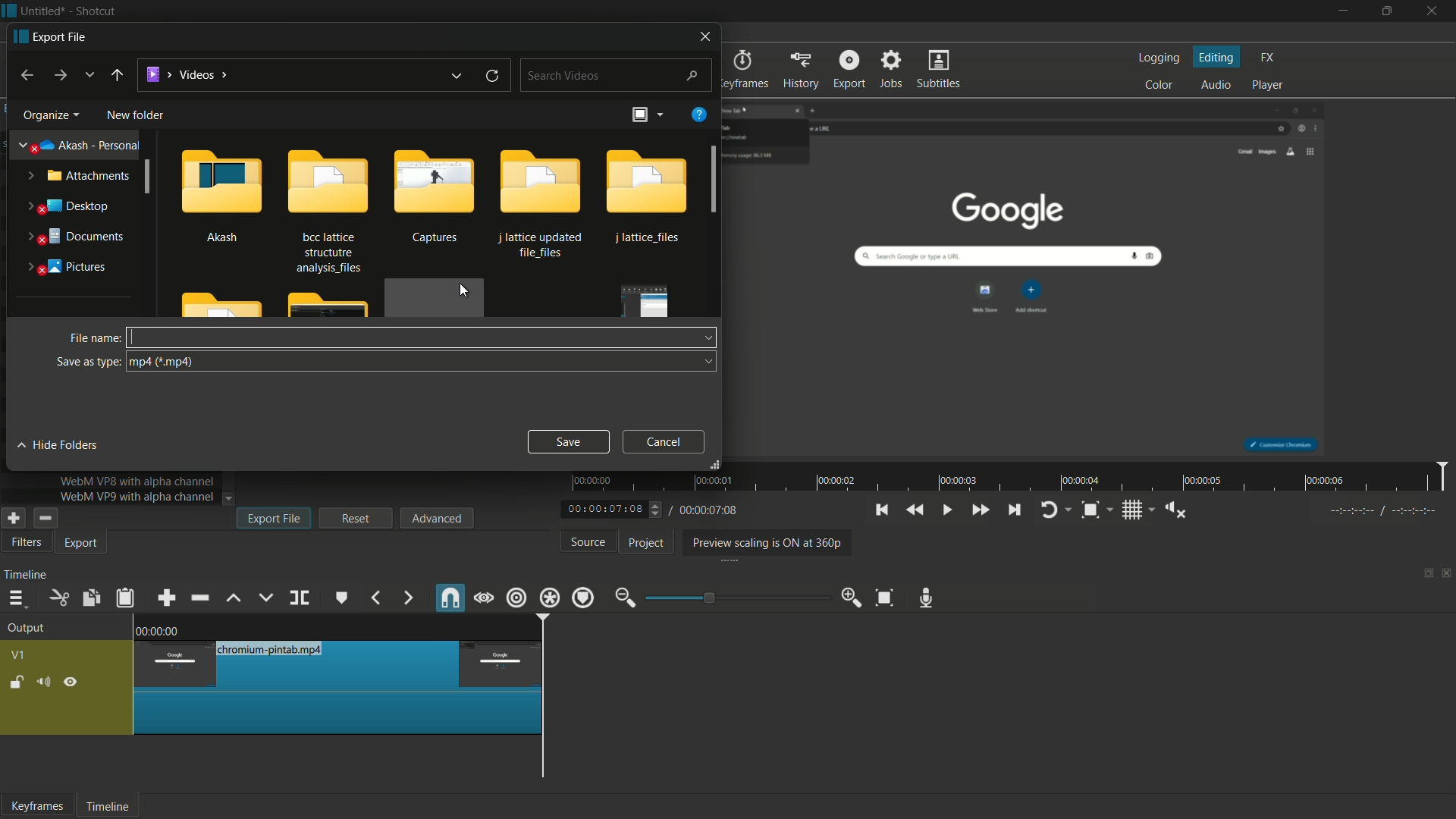  Describe the element at coordinates (162, 629) in the screenshot. I see `0.00` at that location.